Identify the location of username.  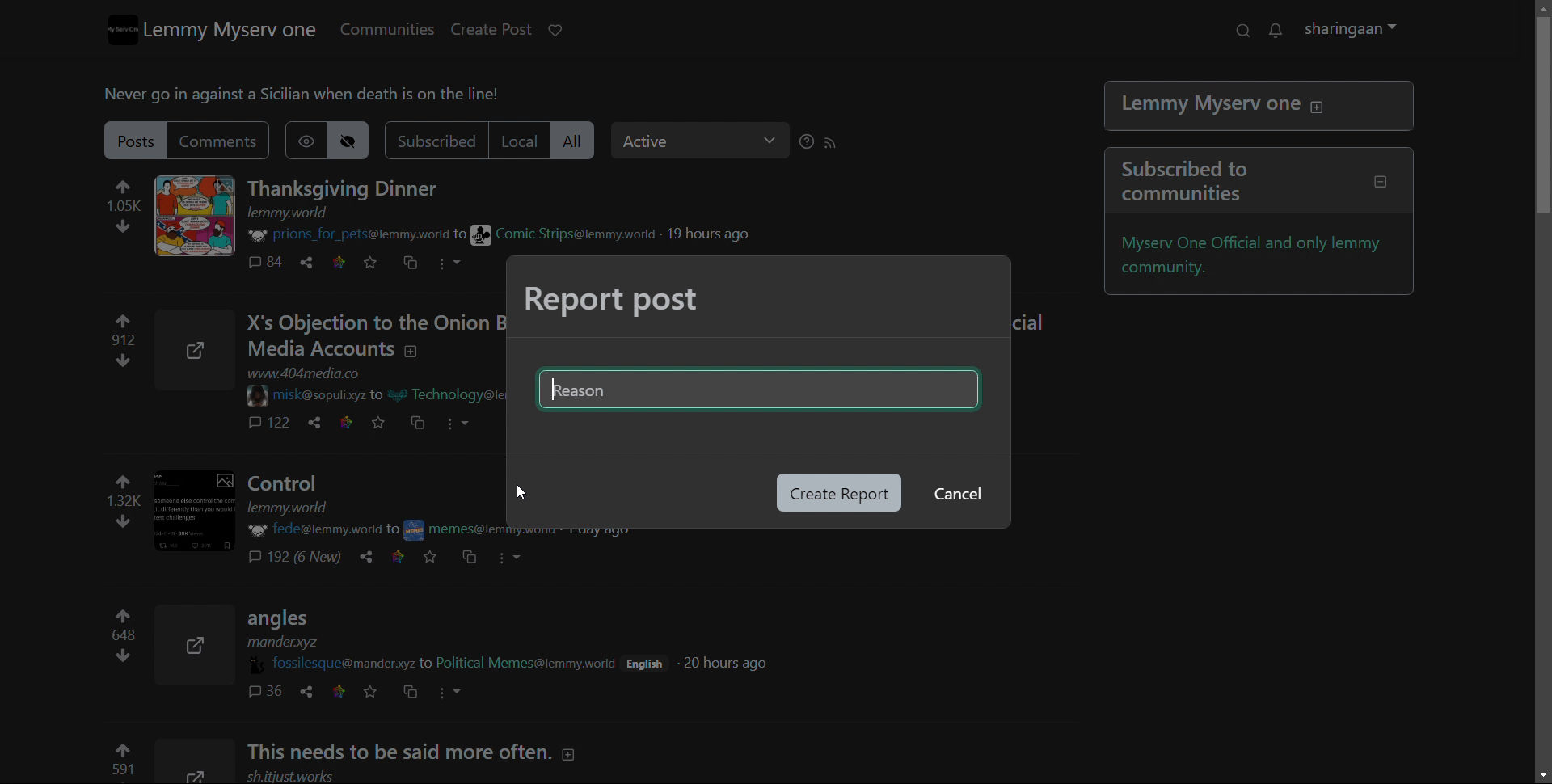
(323, 394).